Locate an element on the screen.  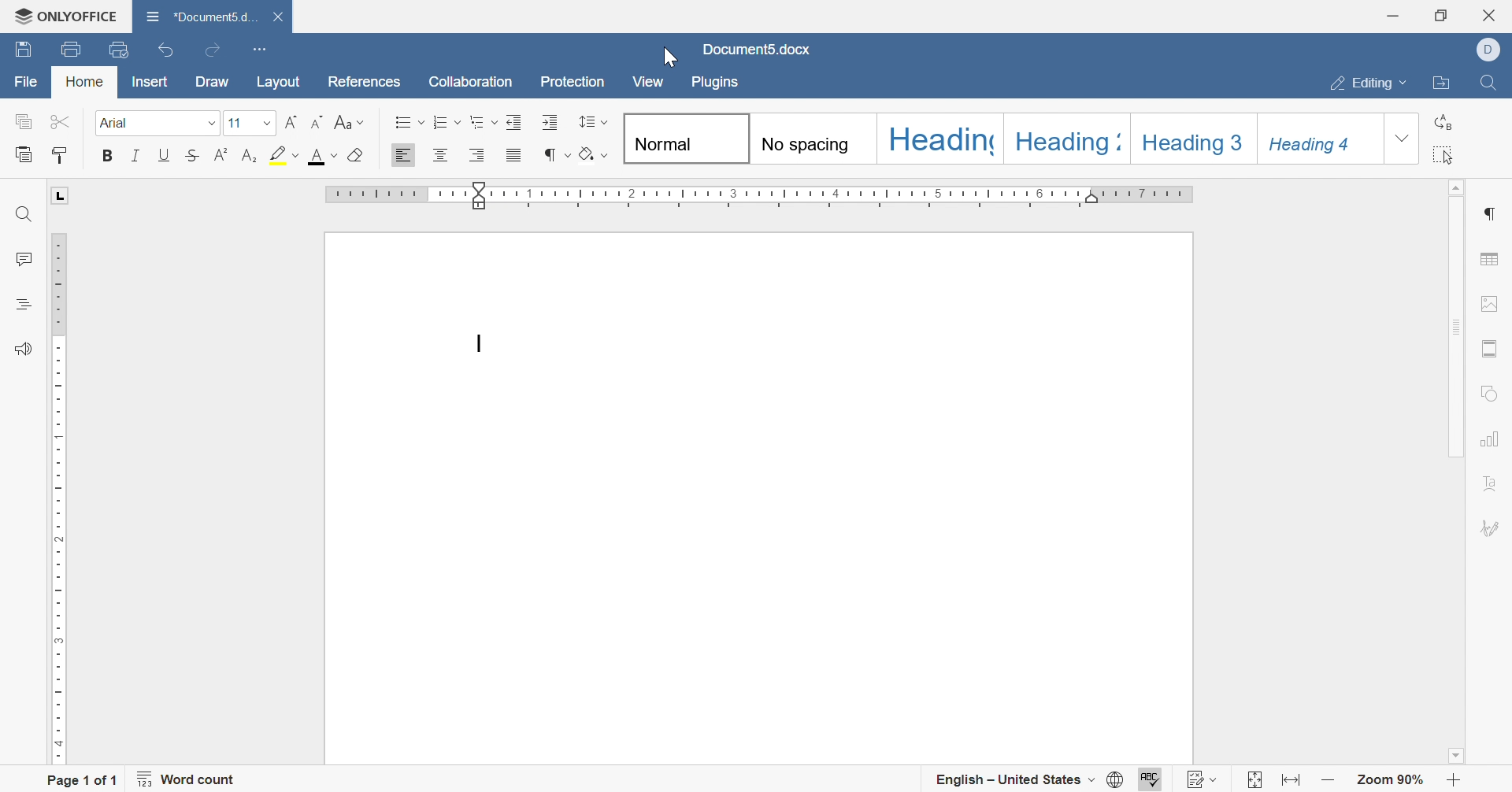
header and footer settings is located at coordinates (1492, 347).